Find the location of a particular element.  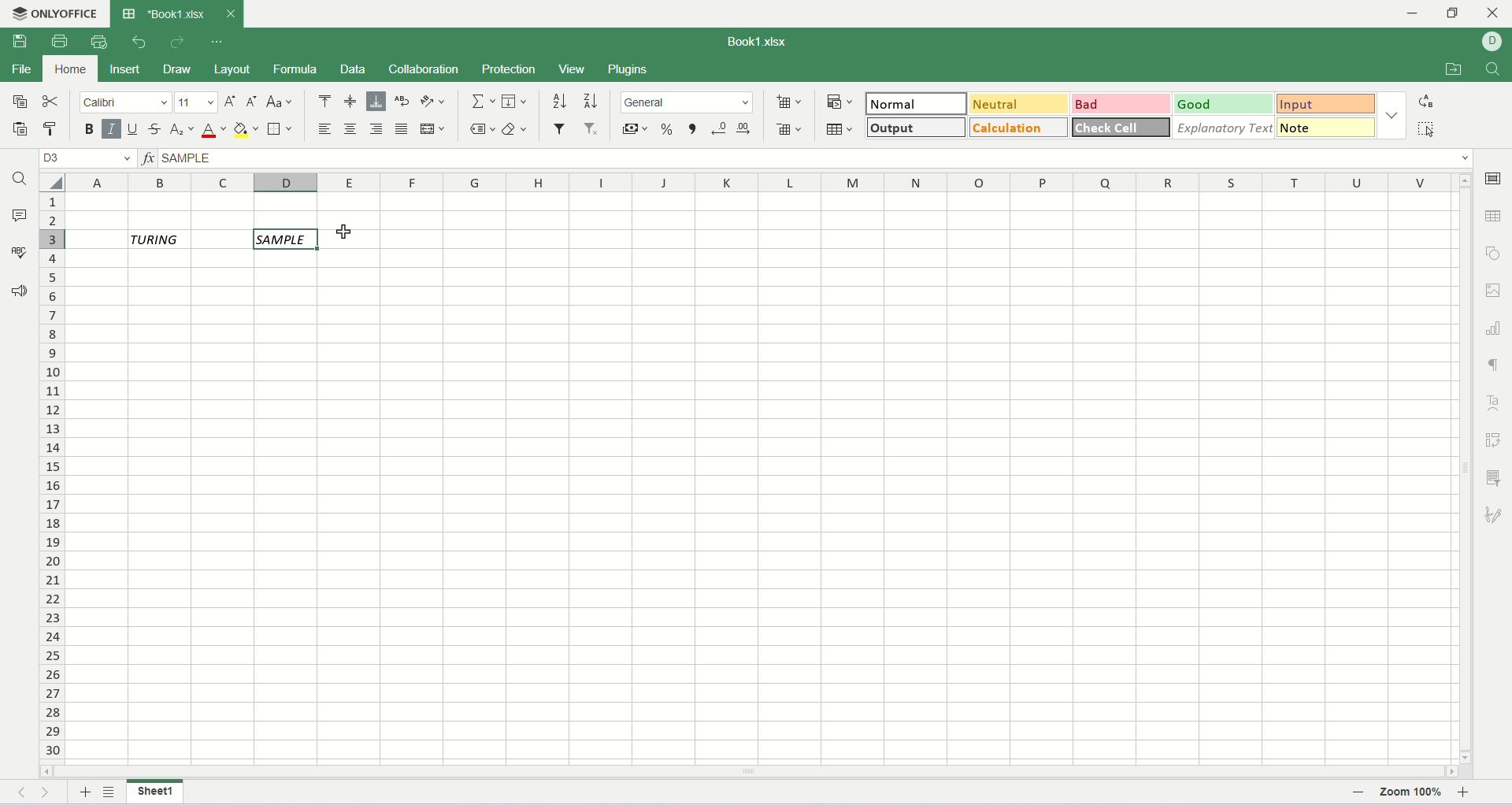

border is located at coordinates (283, 130).